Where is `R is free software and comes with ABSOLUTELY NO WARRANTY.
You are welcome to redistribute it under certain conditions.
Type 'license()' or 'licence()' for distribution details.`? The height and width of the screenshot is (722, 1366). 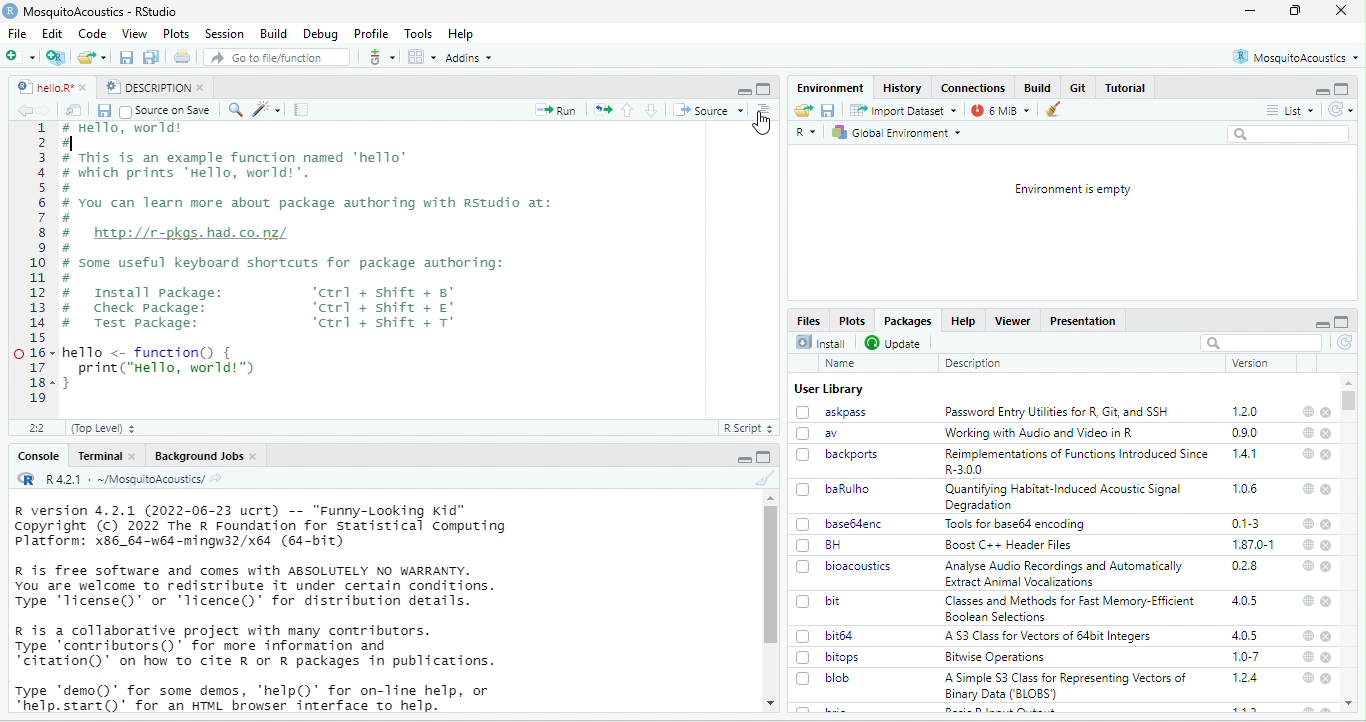
R is free software and comes with ABSOLUTELY NO WARRANTY.
You are welcome to redistribute it under certain conditions.
Type 'license()' or 'licence()' for distribution details. is located at coordinates (260, 586).